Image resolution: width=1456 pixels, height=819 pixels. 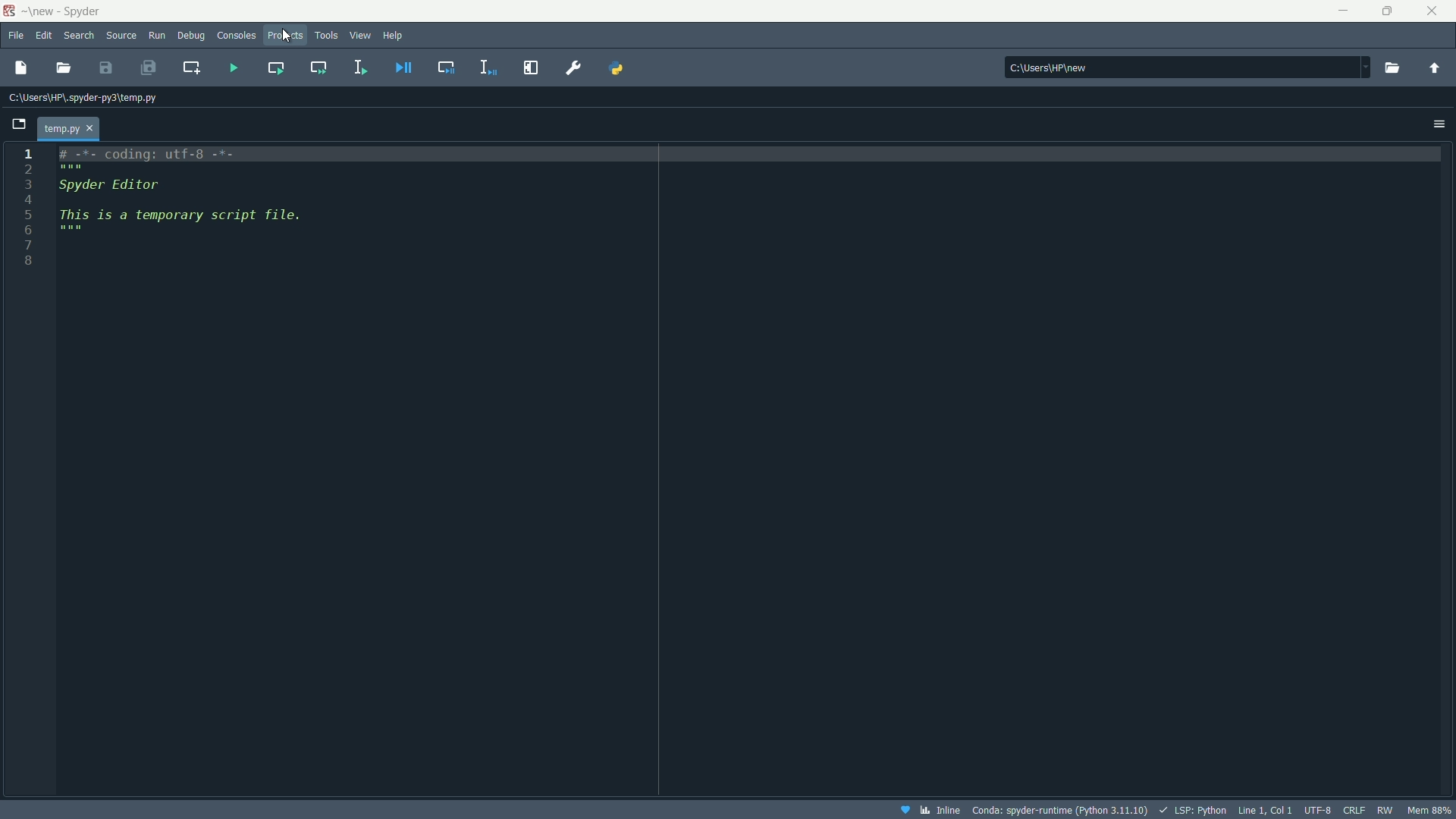 What do you see at coordinates (19, 122) in the screenshot?
I see `Browse tab` at bounding box center [19, 122].